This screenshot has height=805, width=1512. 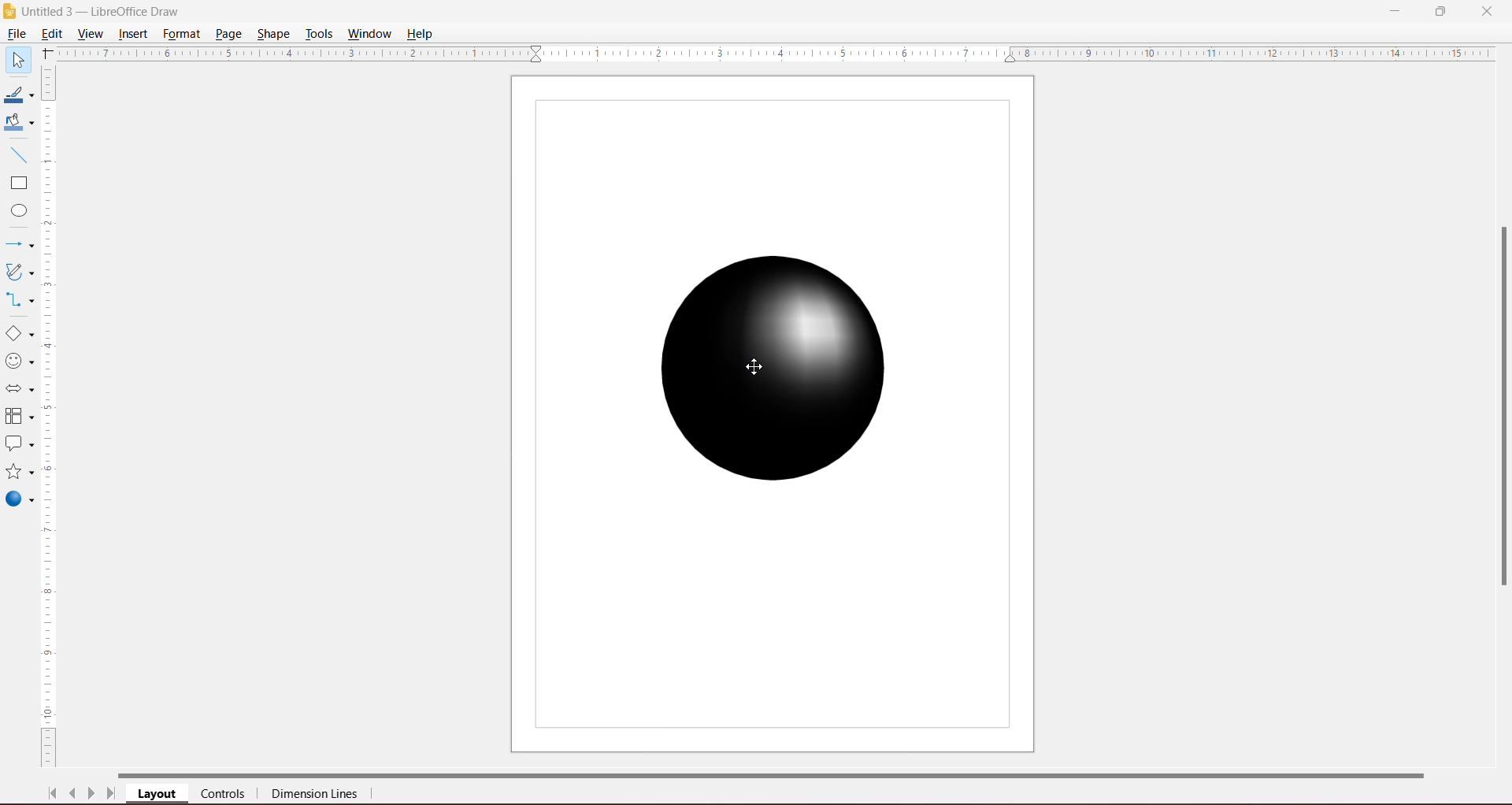 I want to click on Dimension Lines, so click(x=316, y=796).